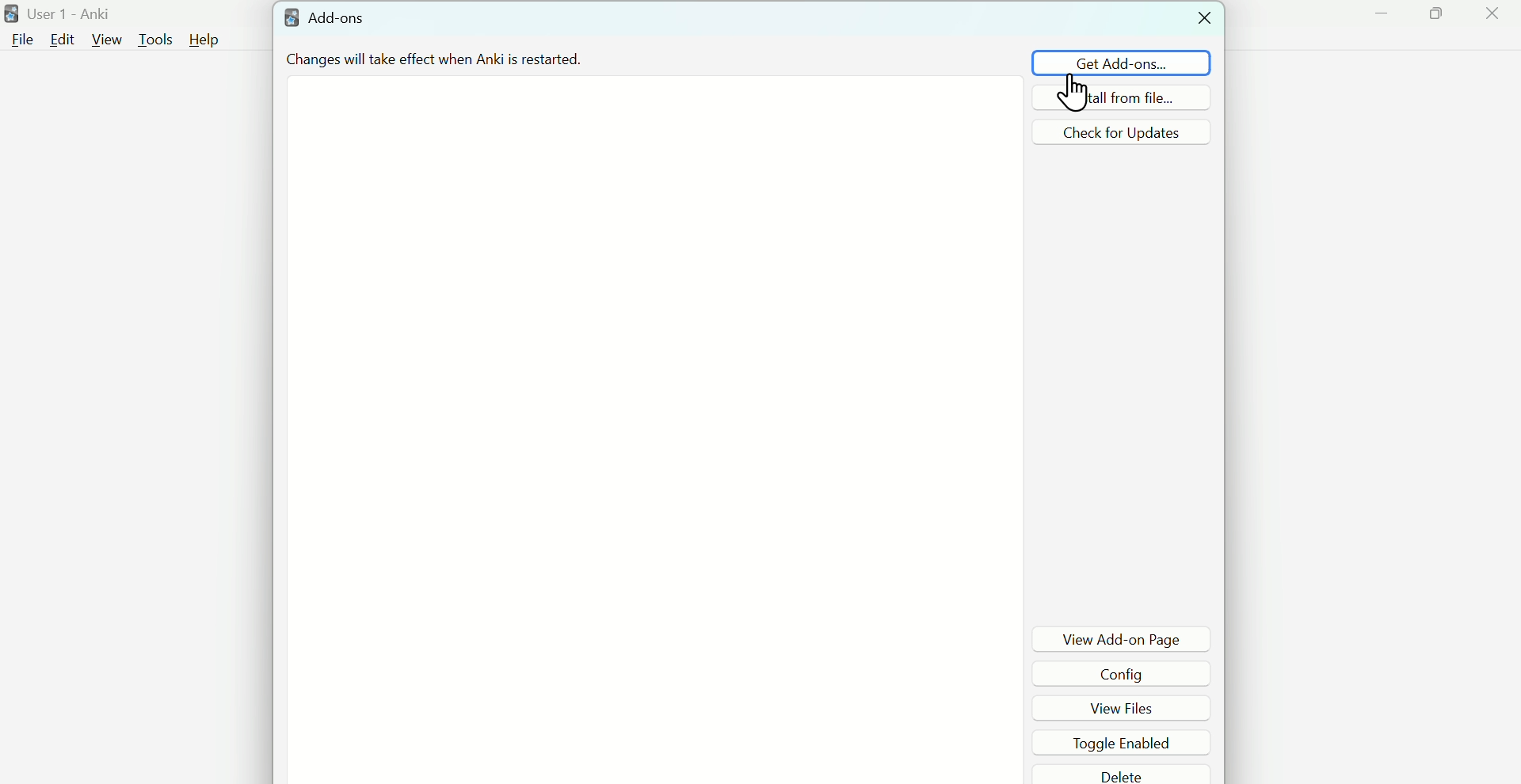 The height and width of the screenshot is (784, 1521). What do you see at coordinates (1076, 97) in the screenshot?
I see `Cursor` at bounding box center [1076, 97].